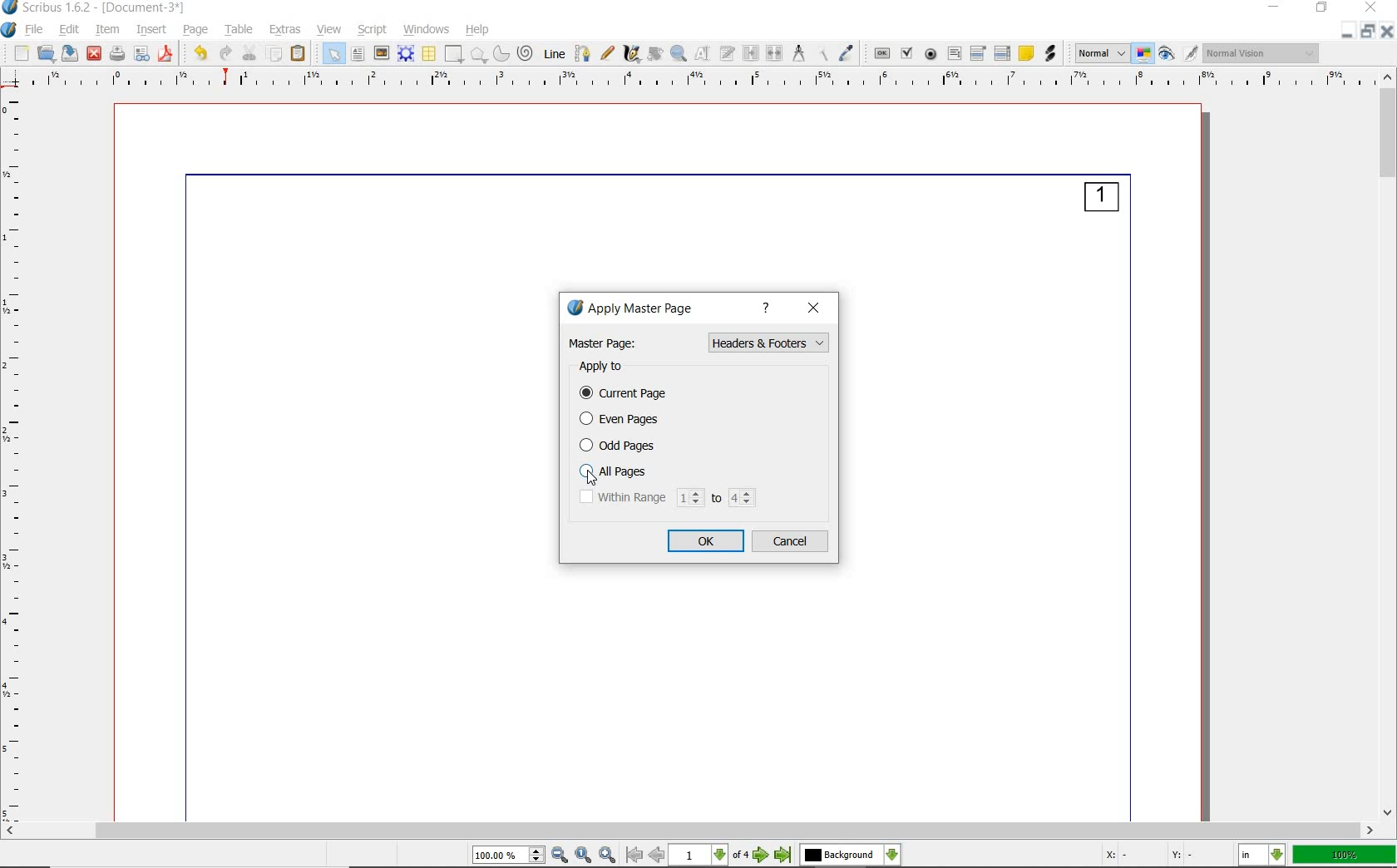 The height and width of the screenshot is (868, 1397). Describe the element at coordinates (151, 31) in the screenshot. I see `insert` at that location.